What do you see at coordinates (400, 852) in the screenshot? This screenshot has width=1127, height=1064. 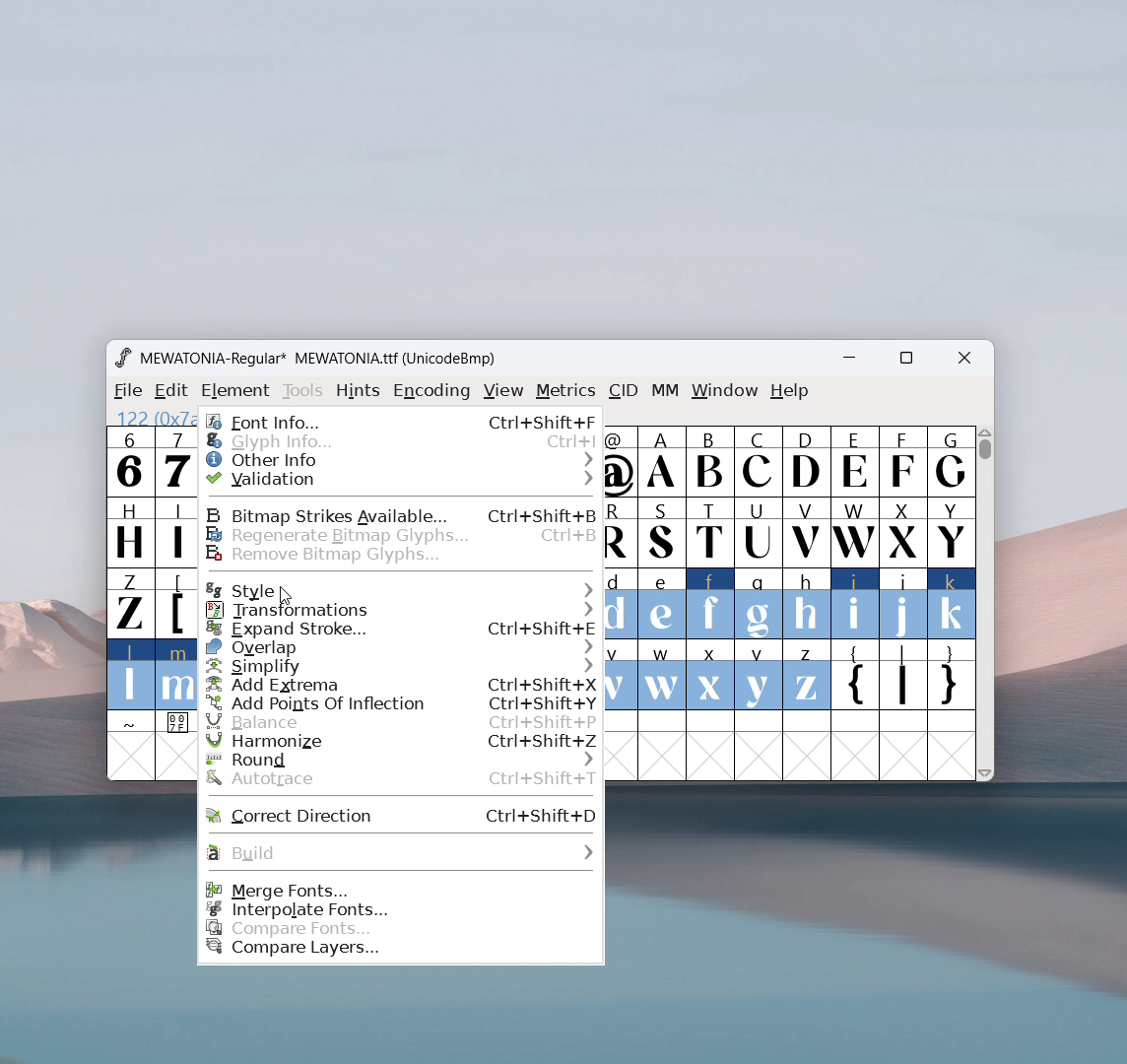 I see `build` at bounding box center [400, 852].